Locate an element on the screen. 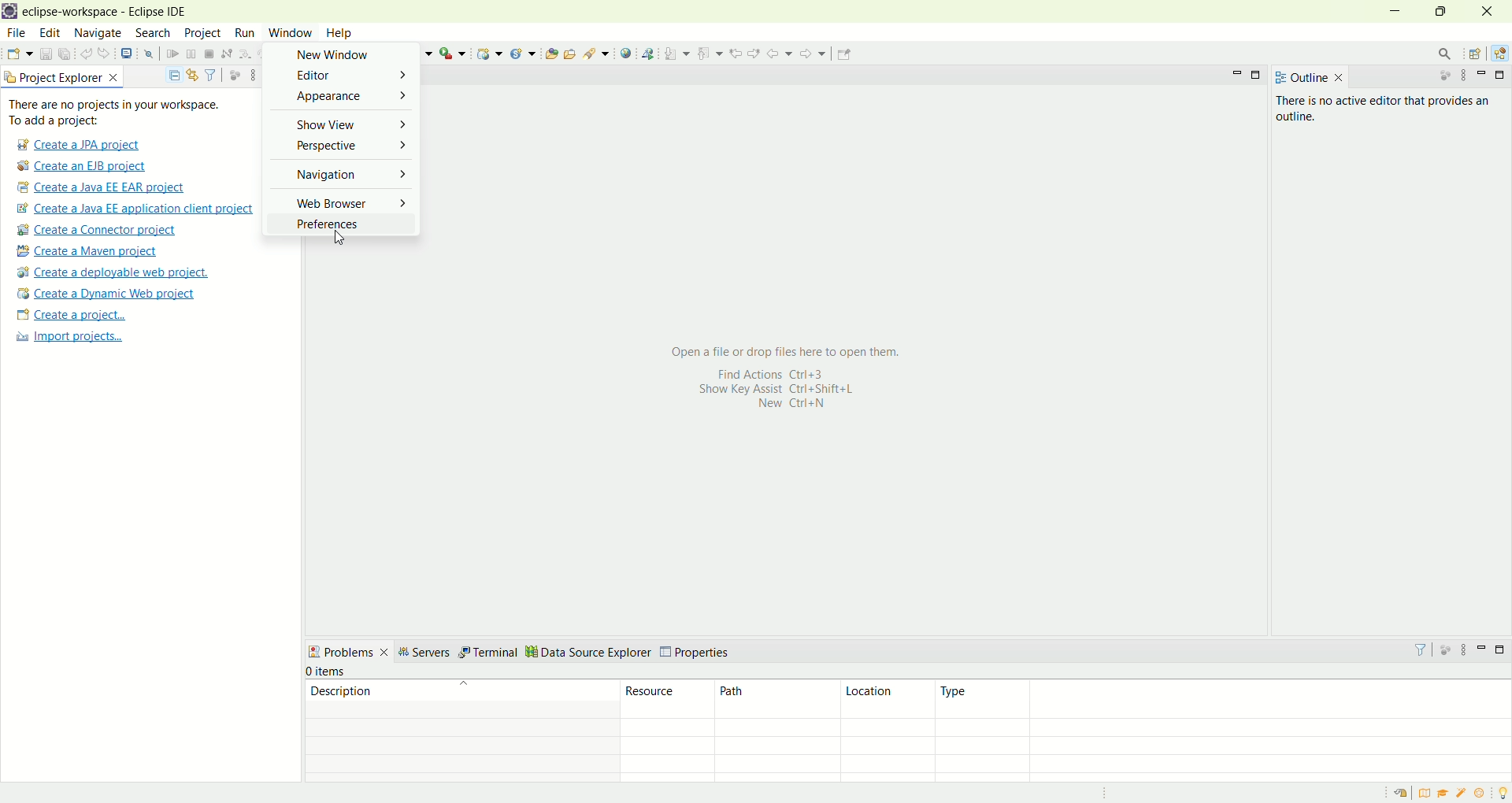 The image size is (1512, 803). maximize is located at coordinates (1445, 11).